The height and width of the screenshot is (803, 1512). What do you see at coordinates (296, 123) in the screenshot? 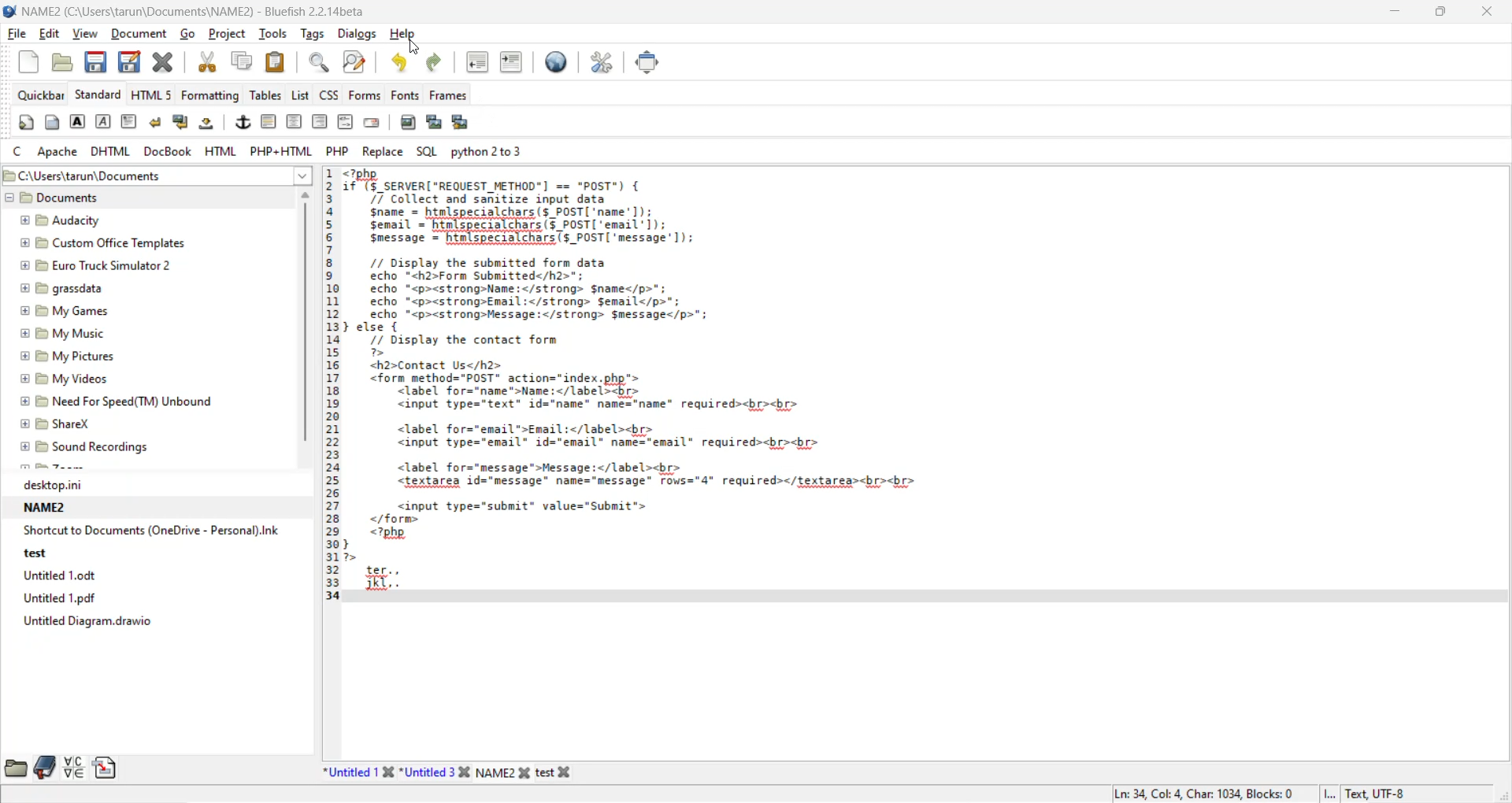
I see `center` at bounding box center [296, 123].